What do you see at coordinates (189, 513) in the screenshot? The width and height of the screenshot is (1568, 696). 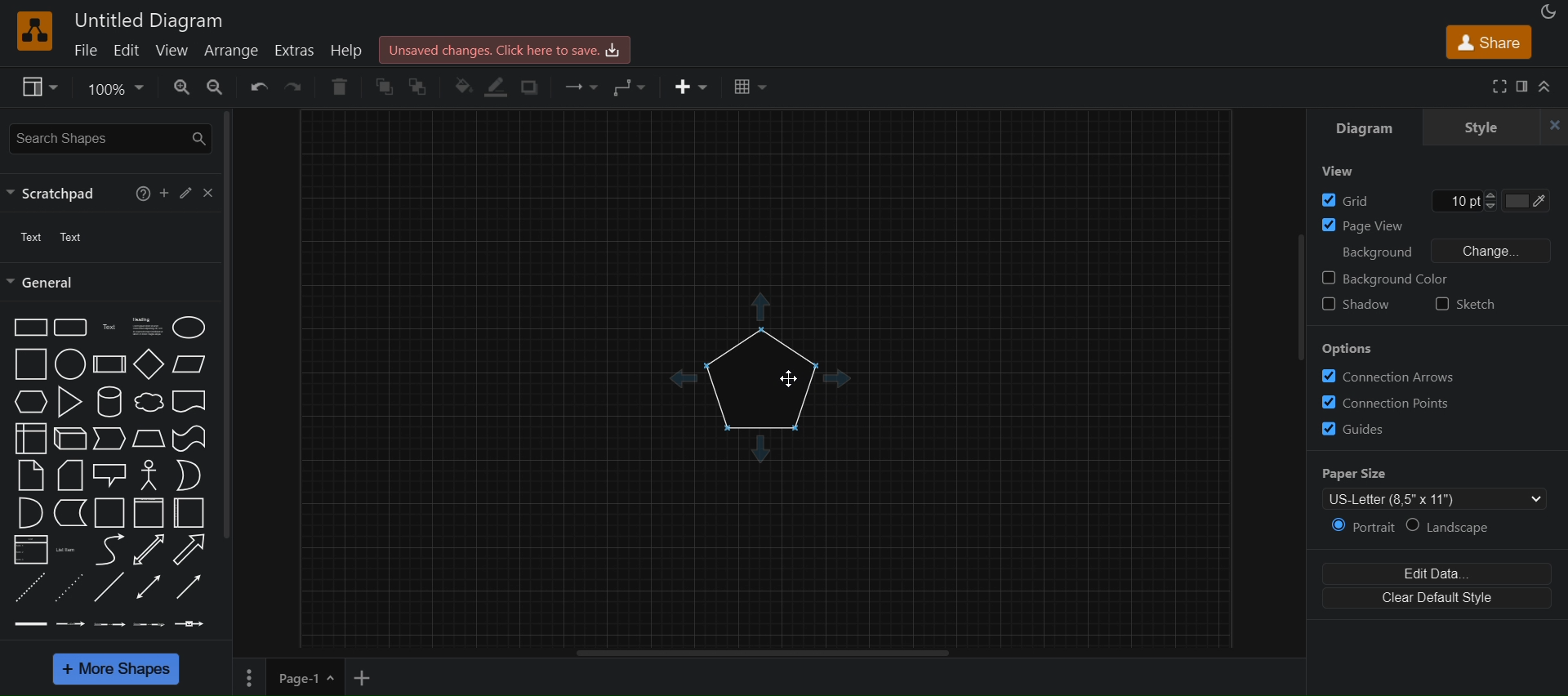 I see `Horizontal container` at bounding box center [189, 513].